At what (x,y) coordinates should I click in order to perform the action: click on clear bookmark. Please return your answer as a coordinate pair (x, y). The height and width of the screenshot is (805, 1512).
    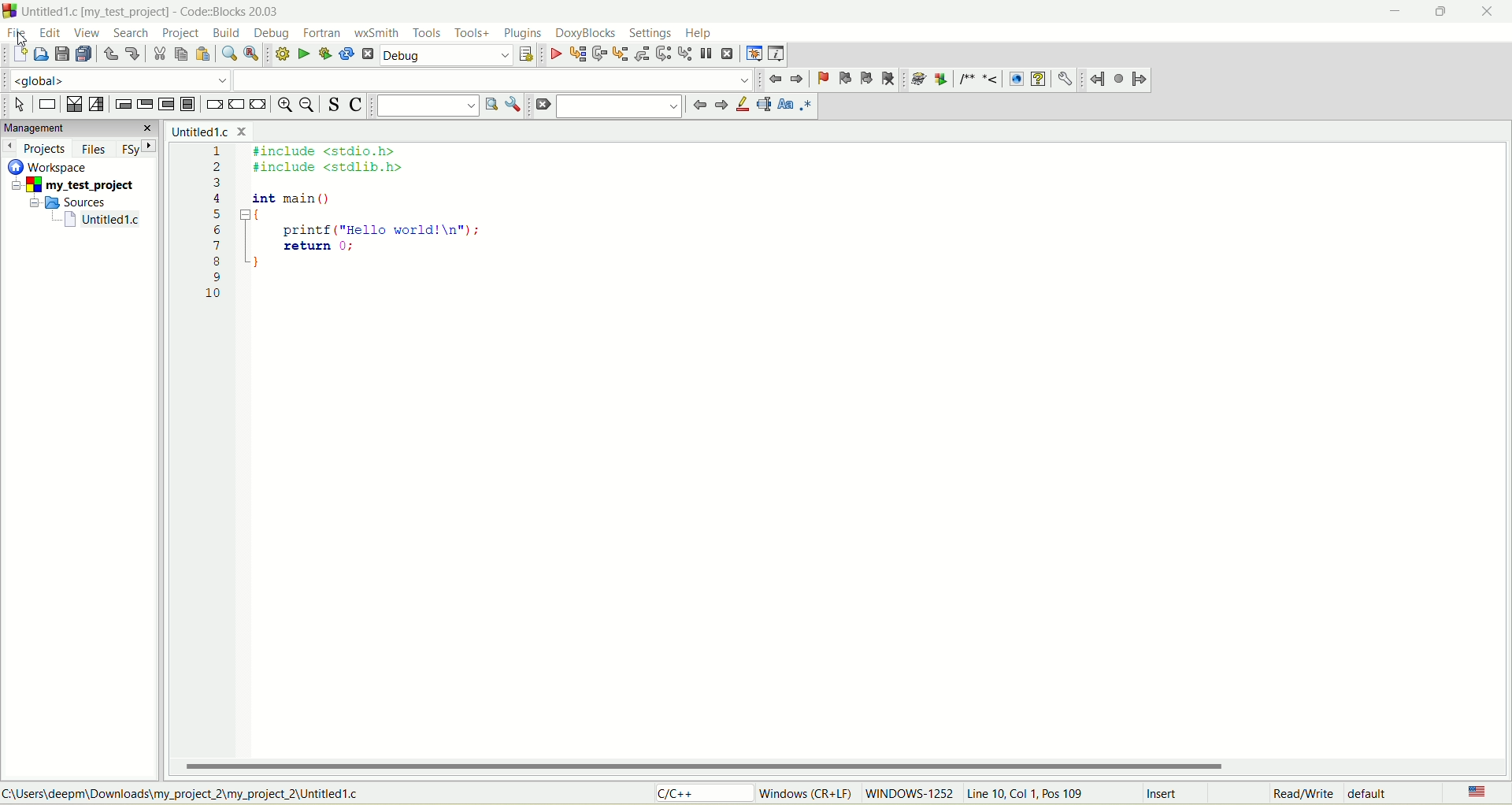
    Looking at the image, I should click on (890, 78).